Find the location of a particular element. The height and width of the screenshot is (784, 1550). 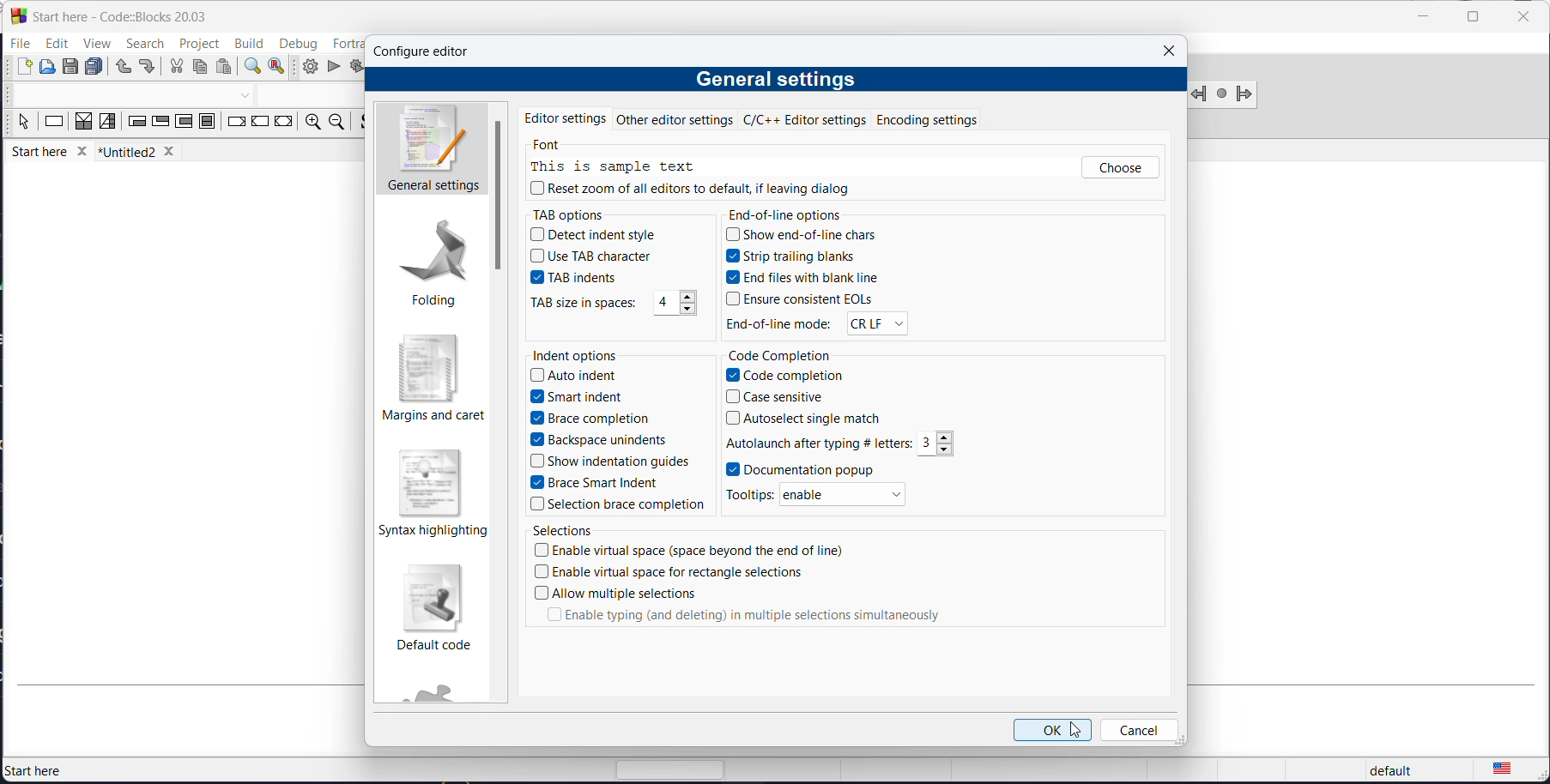

exit condition loop is located at coordinates (160, 124).